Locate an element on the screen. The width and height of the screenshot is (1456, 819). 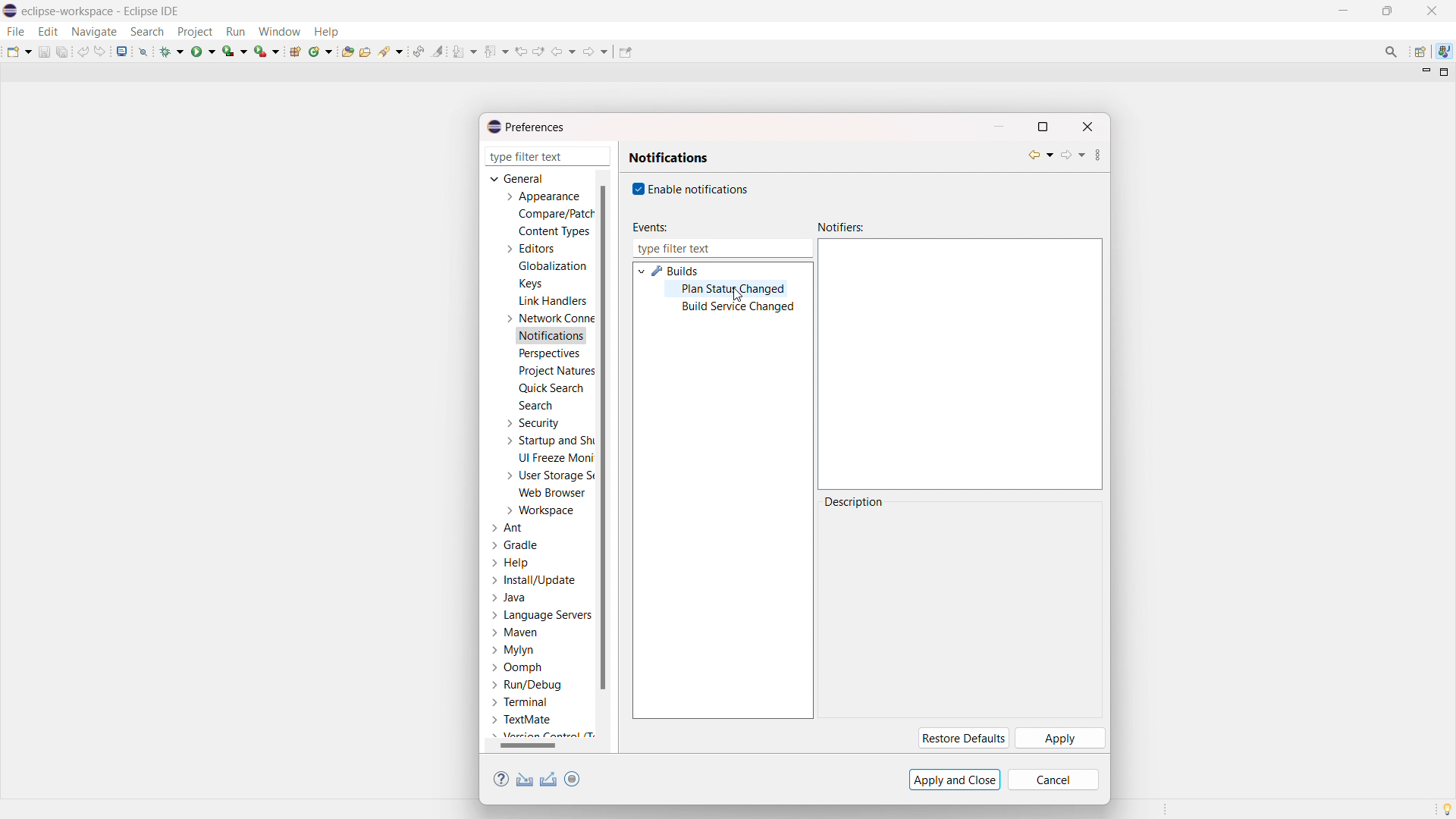
editors is located at coordinates (529, 249).